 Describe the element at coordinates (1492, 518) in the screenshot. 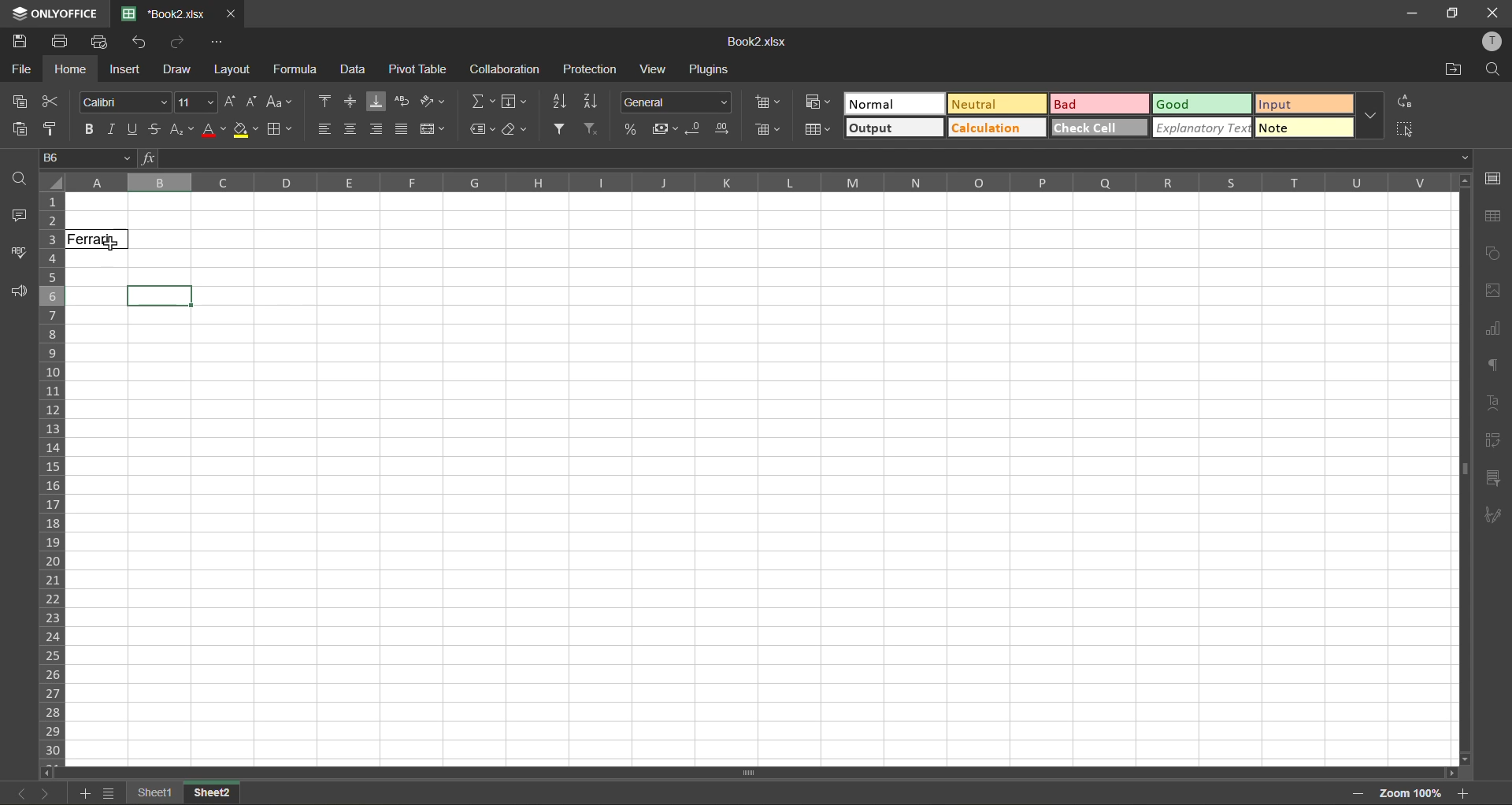

I see `signature` at that location.